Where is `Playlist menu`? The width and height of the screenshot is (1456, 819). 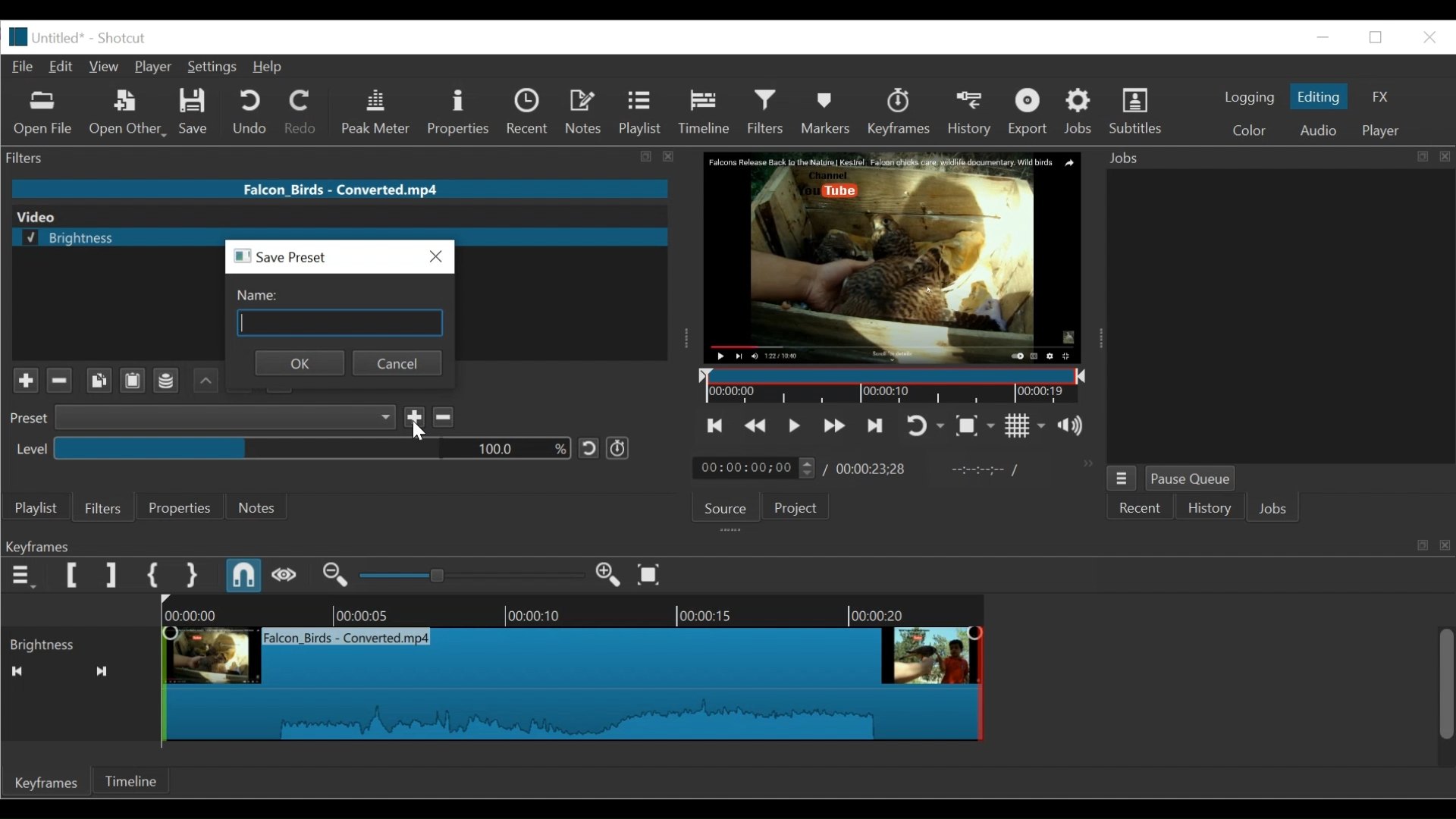
Playlist menu is located at coordinates (36, 509).